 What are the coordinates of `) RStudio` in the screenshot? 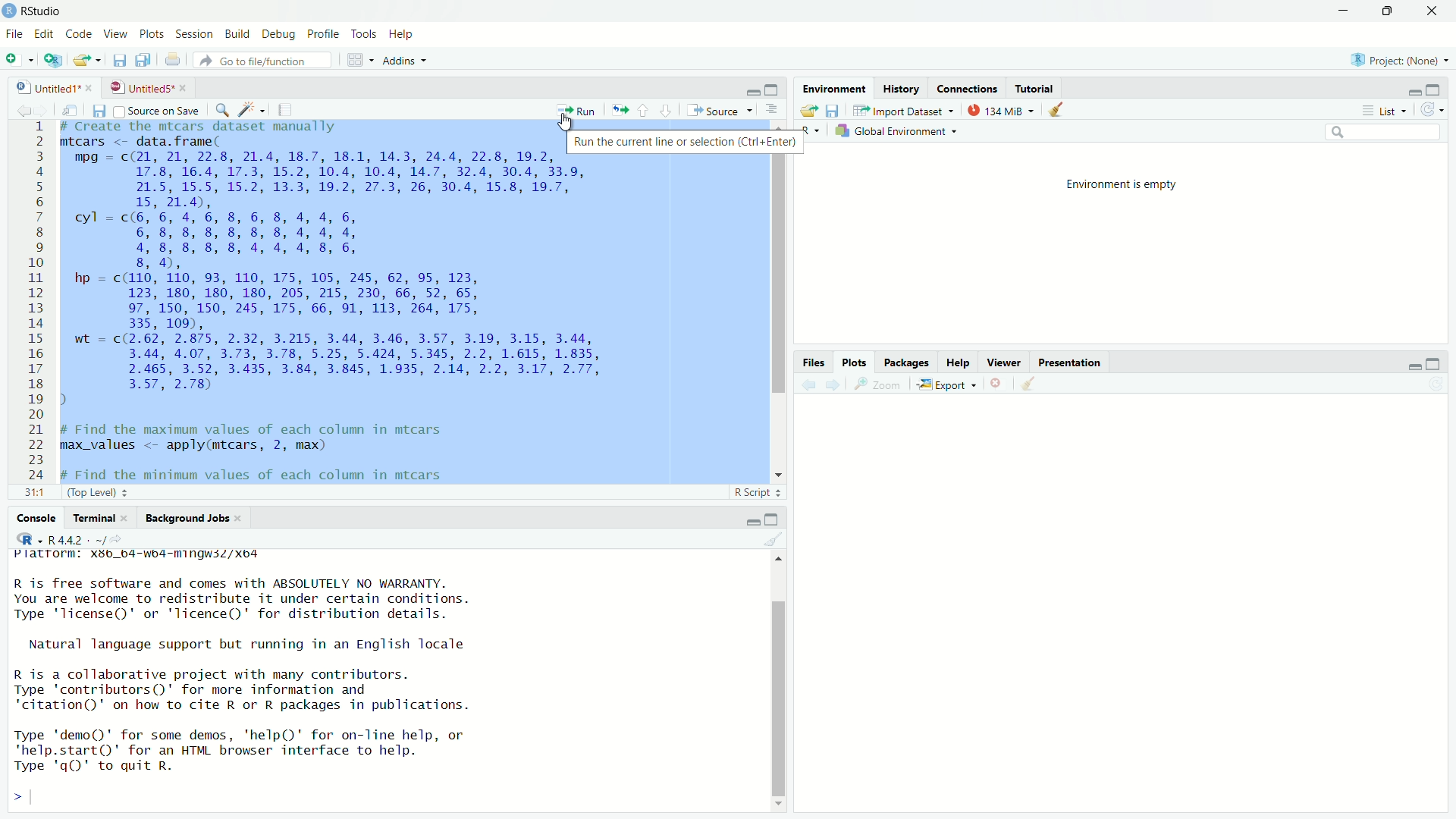 It's located at (36, 10).